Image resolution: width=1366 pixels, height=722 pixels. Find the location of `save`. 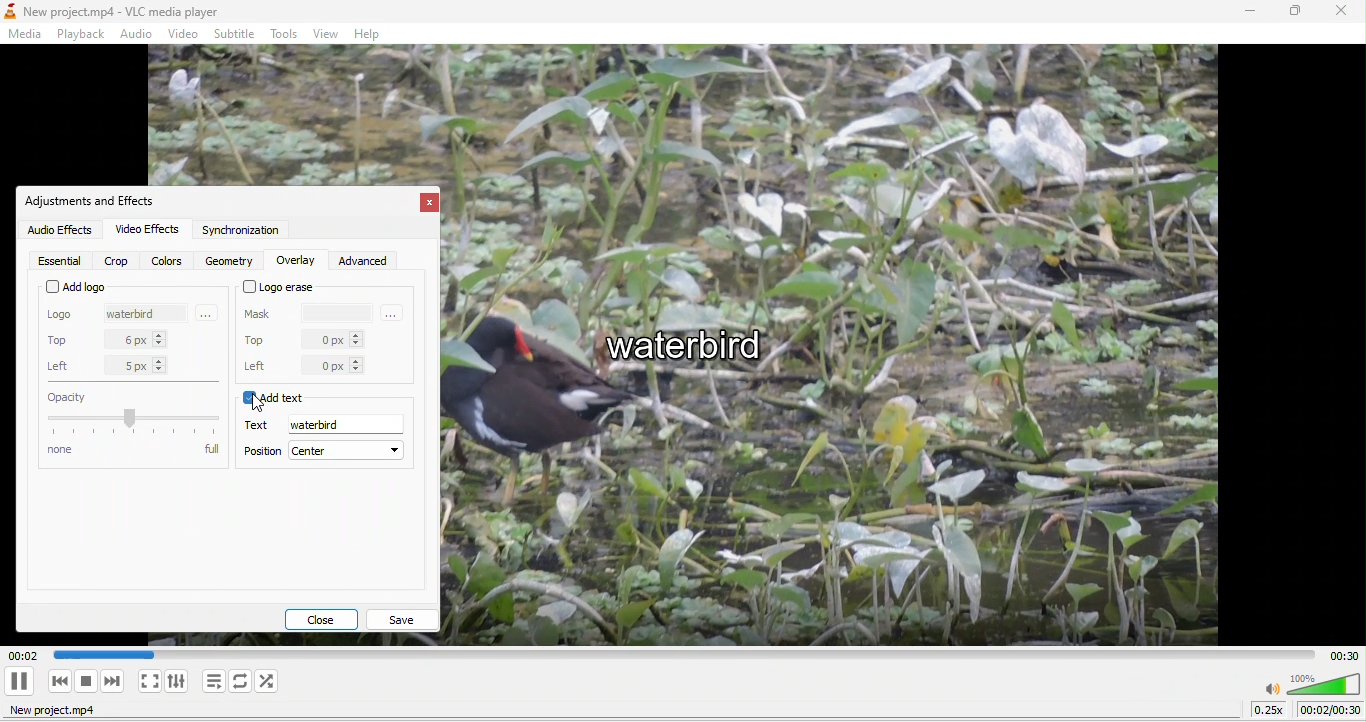

save is located at coordinates (406, 617).